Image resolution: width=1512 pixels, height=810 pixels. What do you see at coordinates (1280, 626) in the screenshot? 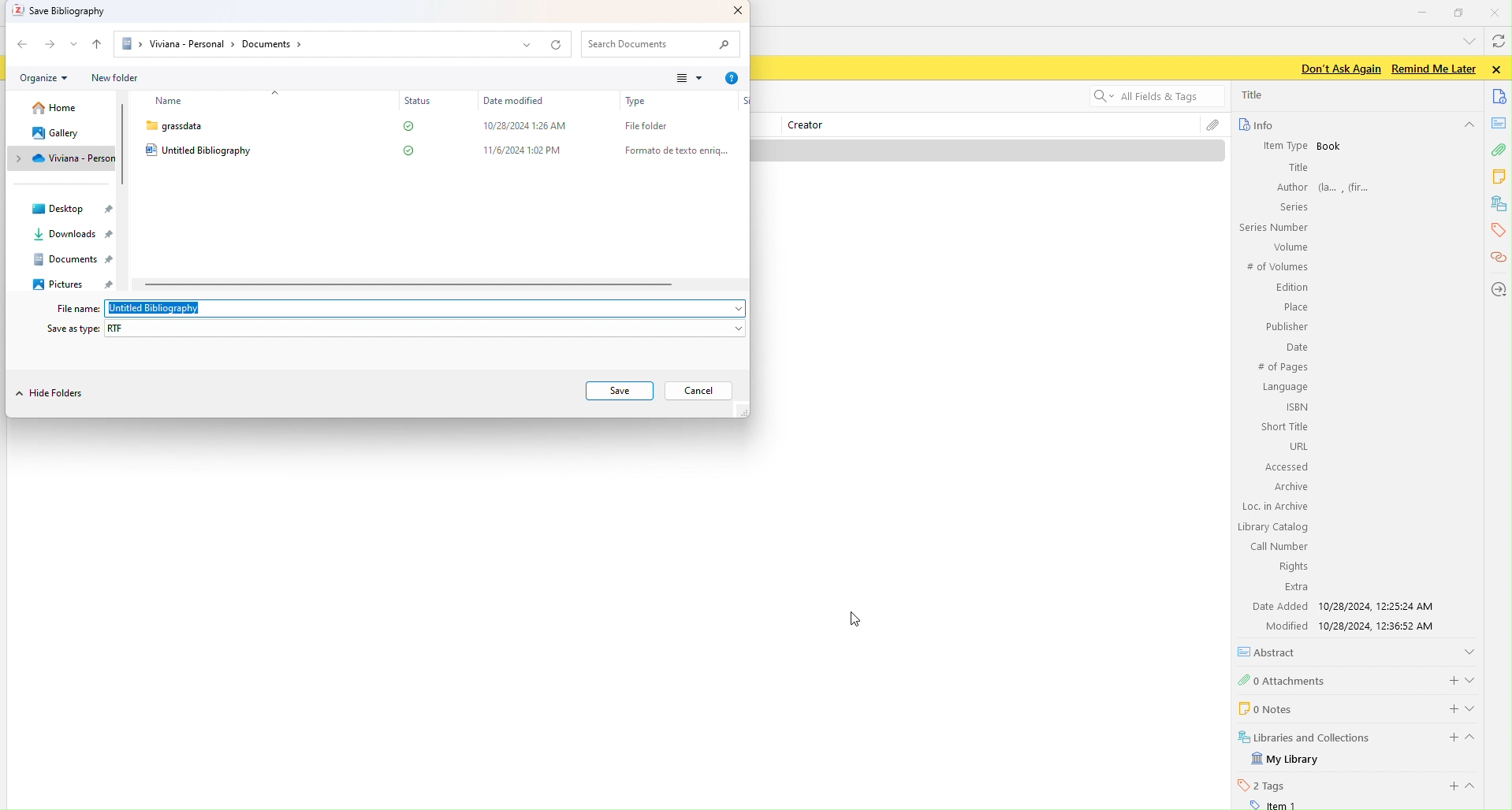
I see `‘Modified` at bounding box center [1280, 626].